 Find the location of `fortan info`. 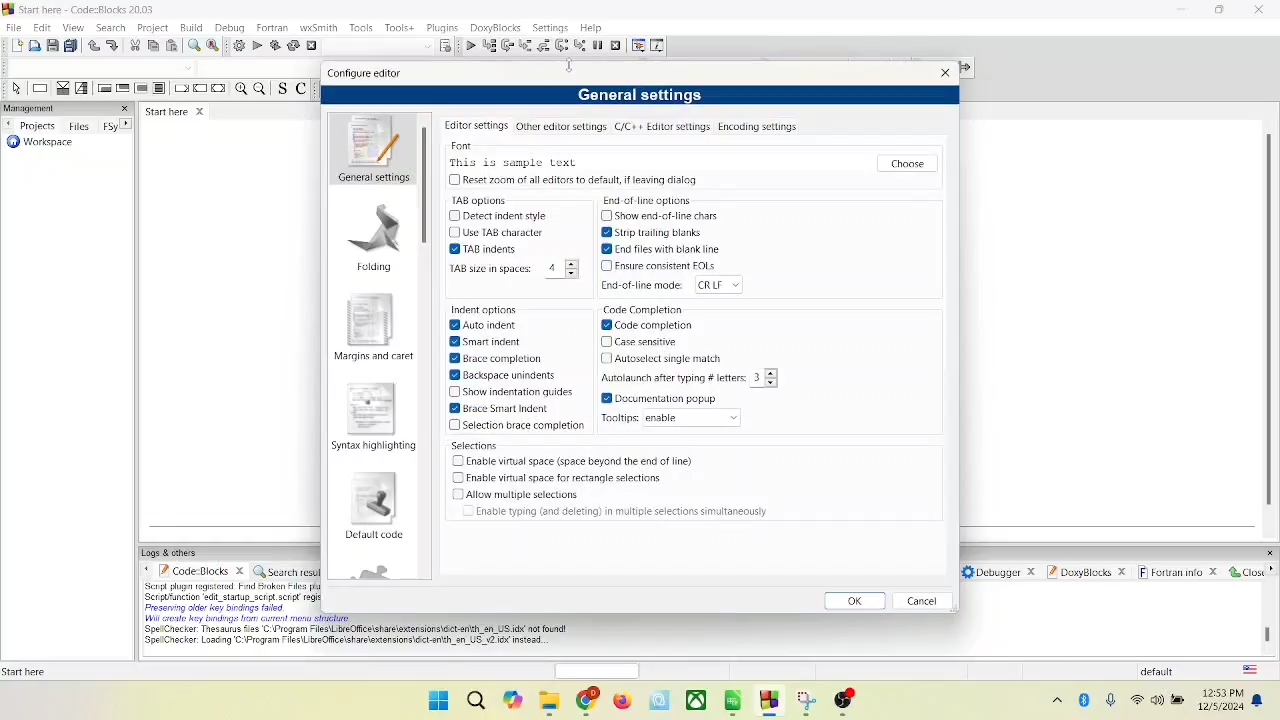

fortan info is located at coordinates (1178, 573).